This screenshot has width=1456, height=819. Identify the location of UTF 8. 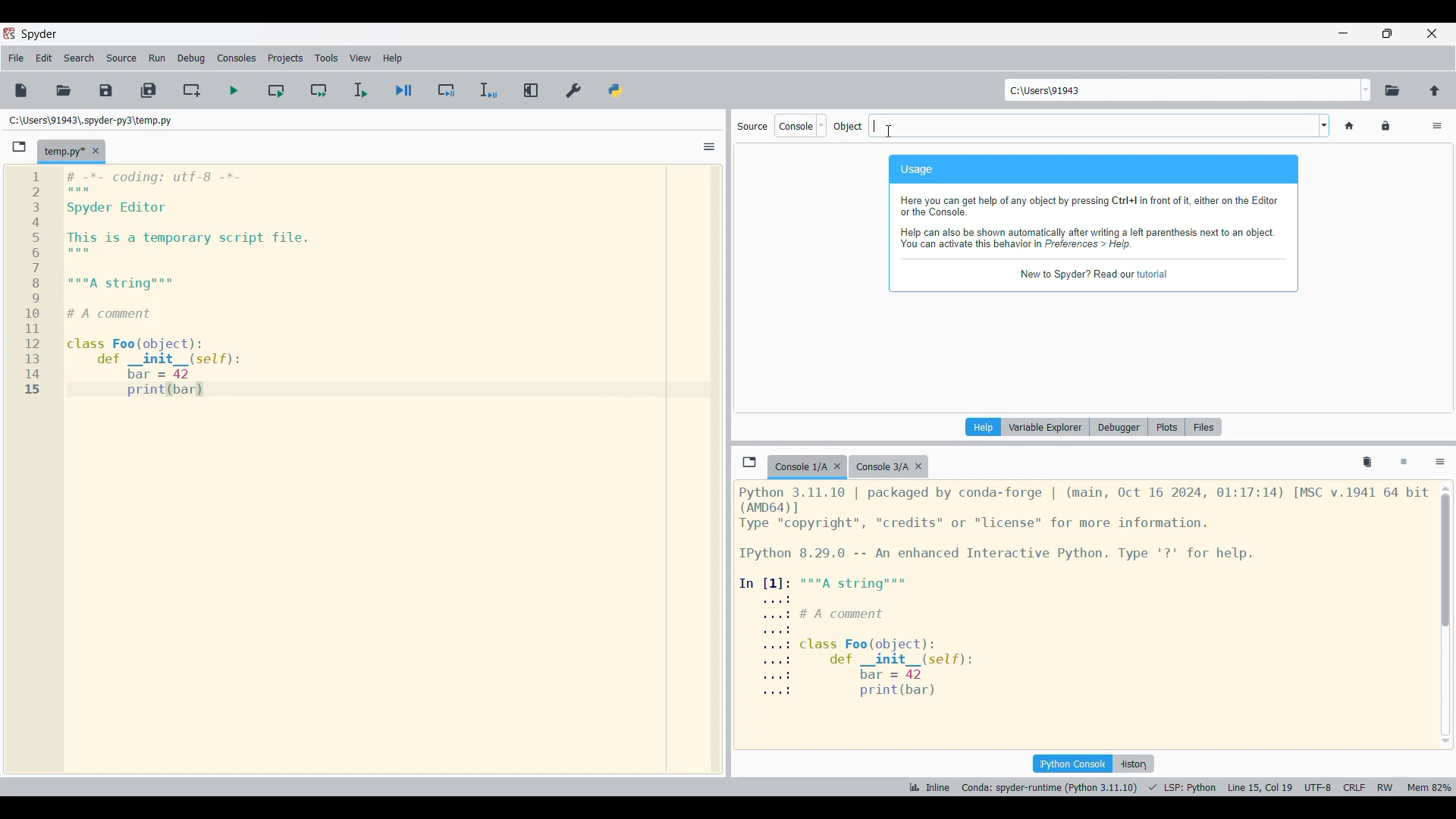
(1318, 786).